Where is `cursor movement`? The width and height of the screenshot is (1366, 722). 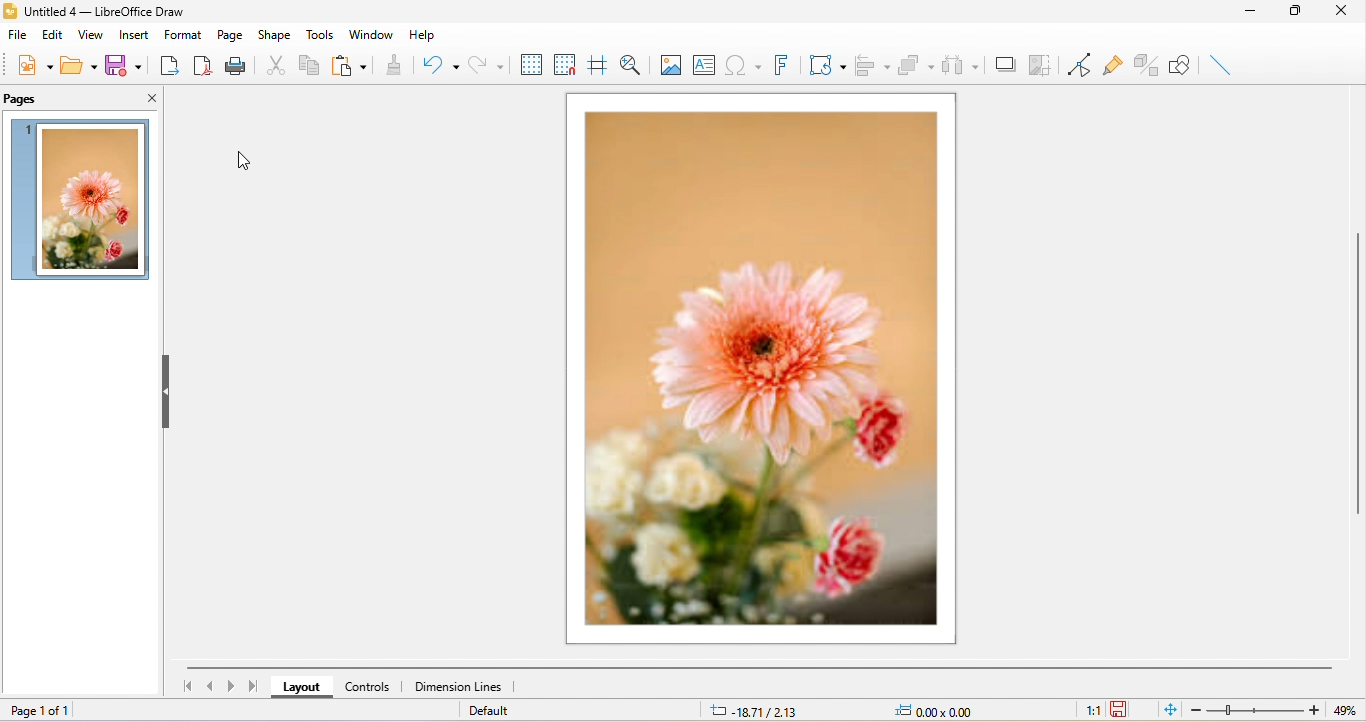
cursor movement is located at coordinates (246, 158).